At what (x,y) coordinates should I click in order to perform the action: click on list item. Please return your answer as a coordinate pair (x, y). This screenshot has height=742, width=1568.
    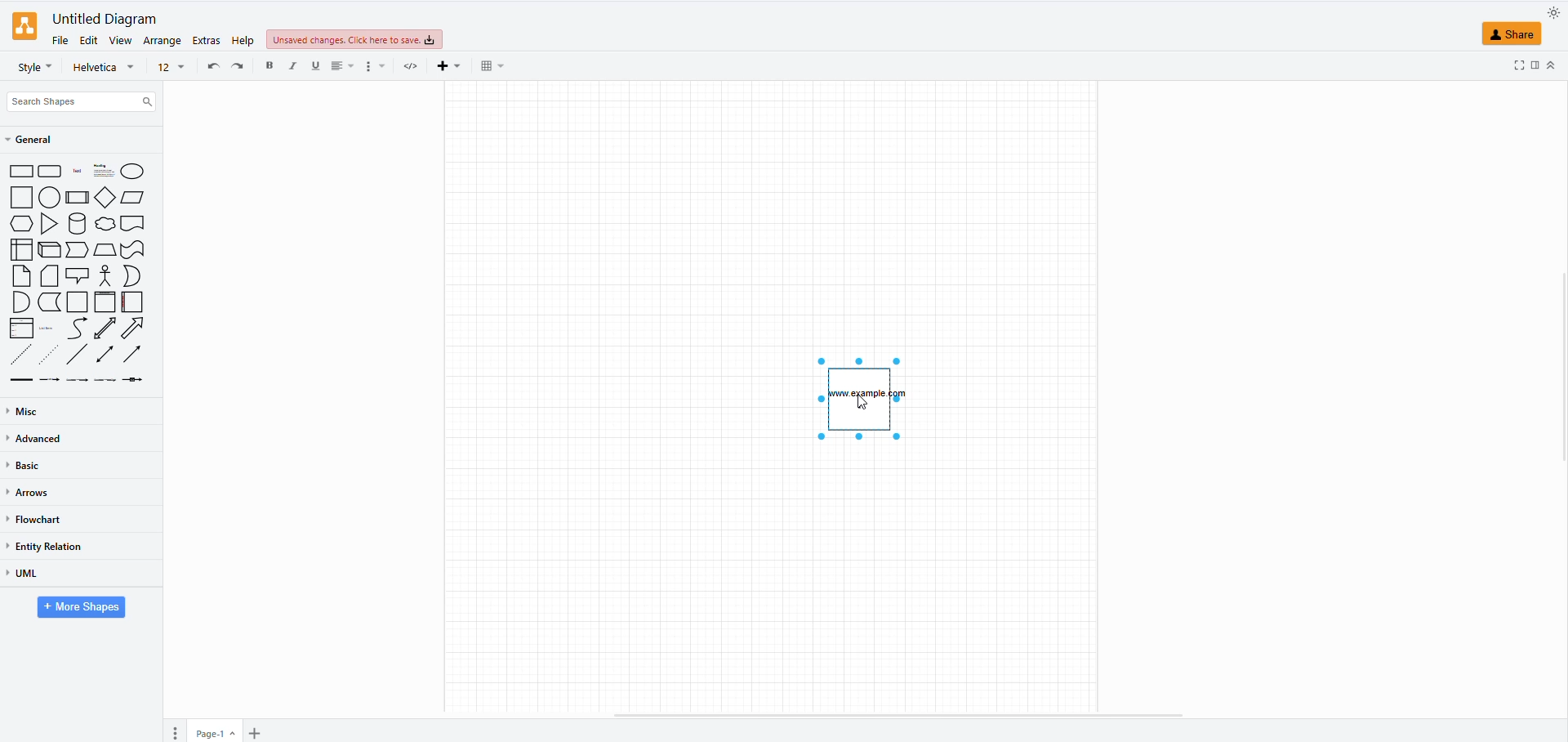
    Looking at the image, I should click on (49, 328).